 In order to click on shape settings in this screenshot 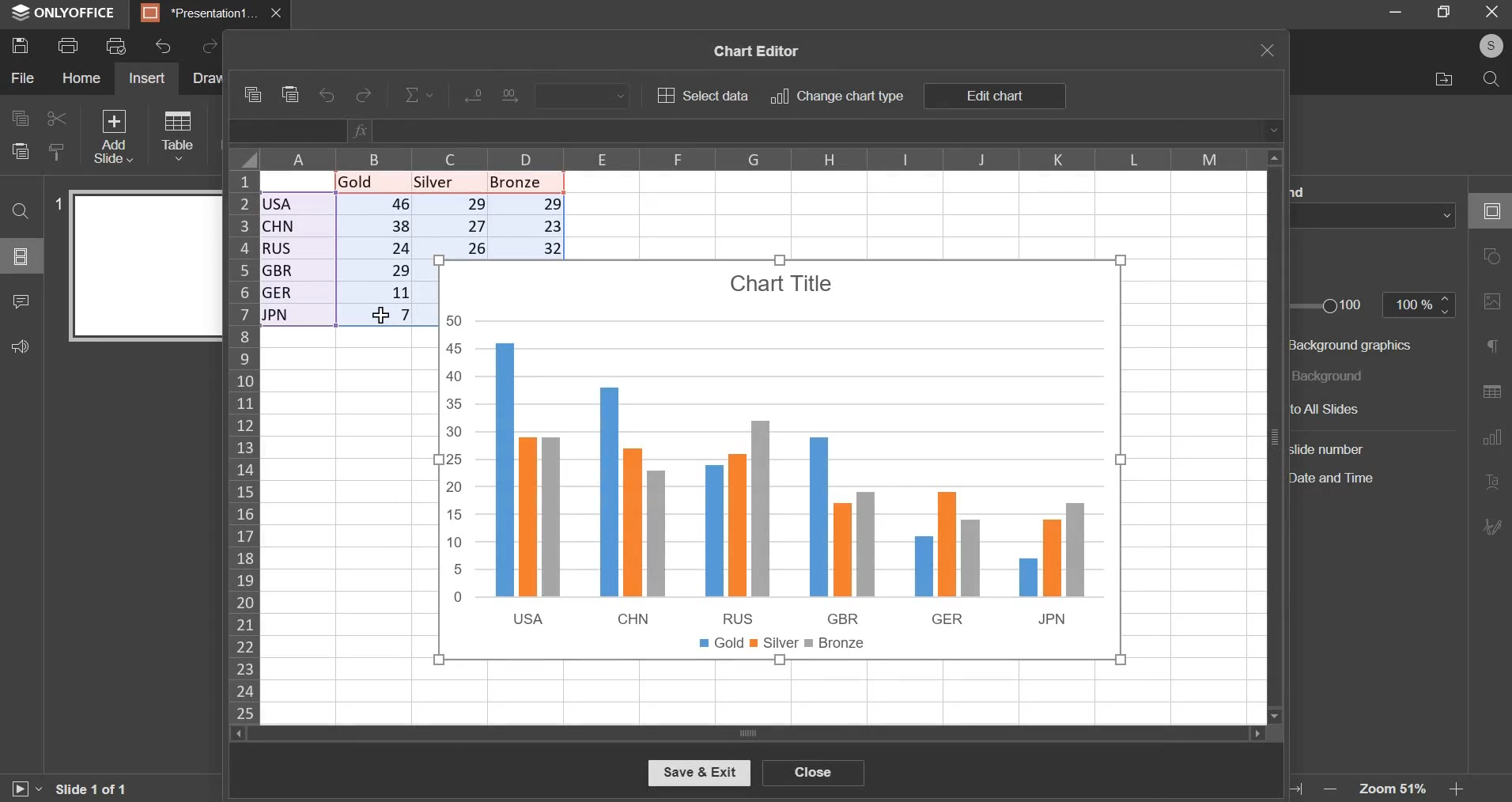, I will do `click(1495, 257)`.